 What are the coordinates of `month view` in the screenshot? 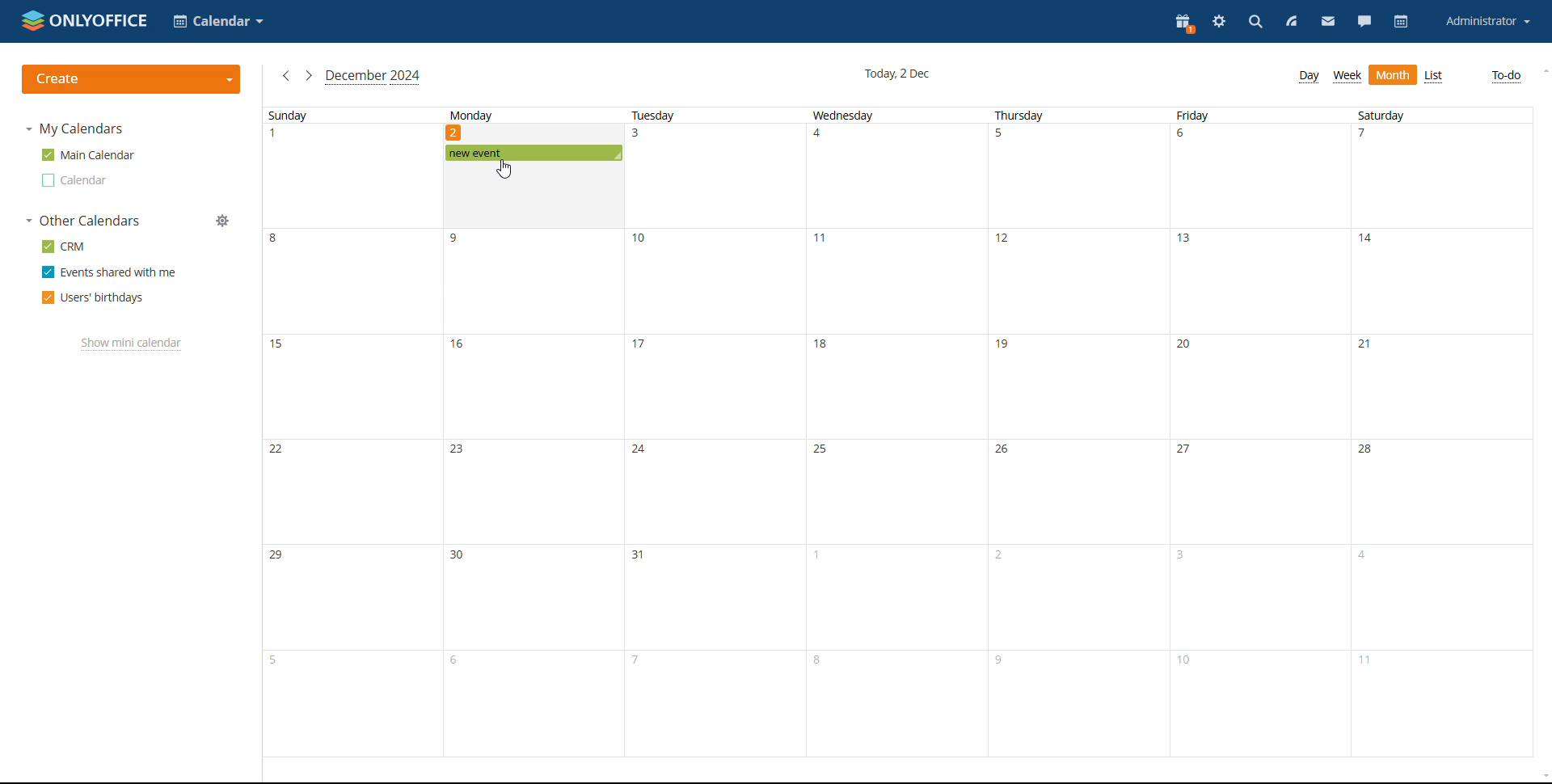 It's located at (1393, 75).